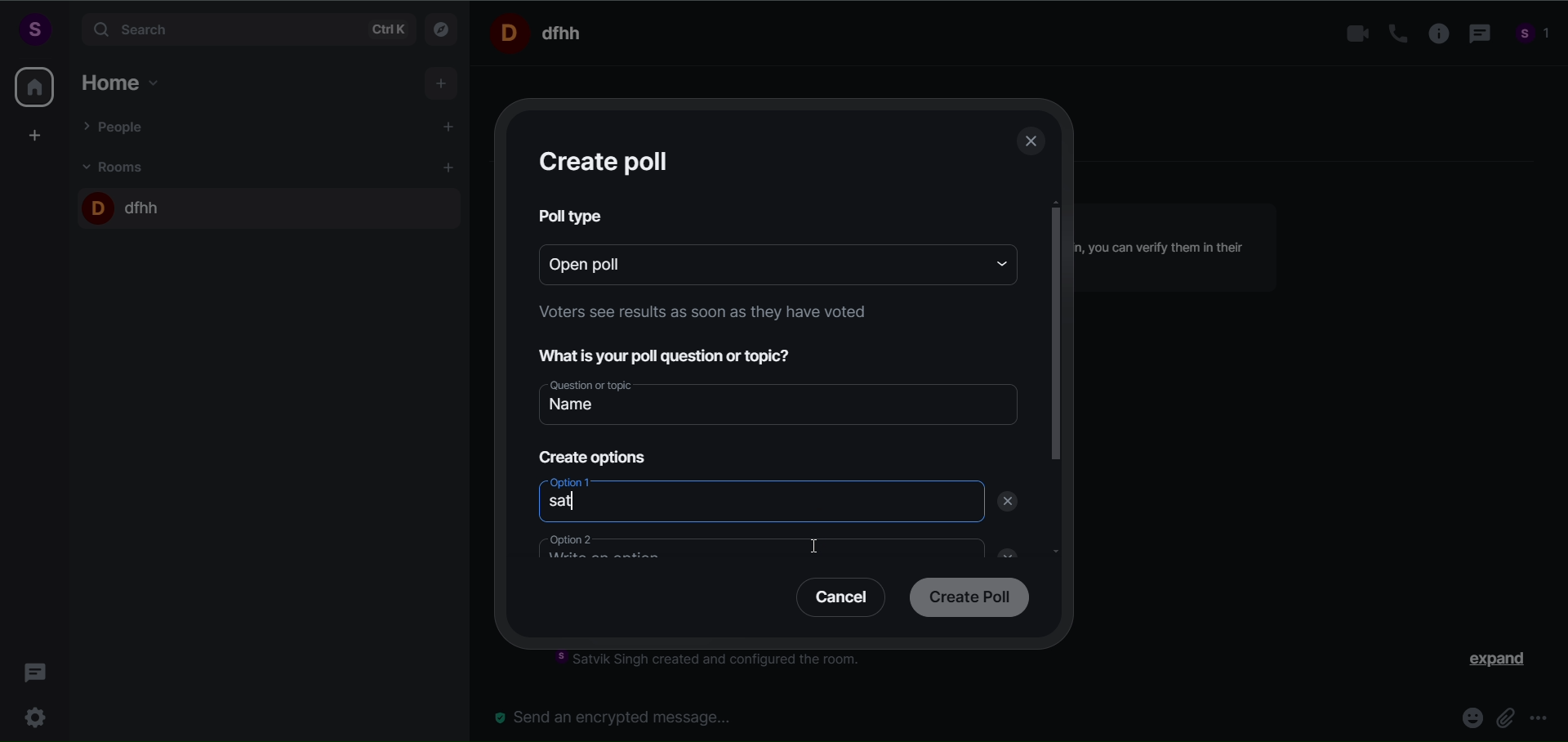 This screenshot has width=1568, height=742. I want to click on poll type, so click(573, 216).